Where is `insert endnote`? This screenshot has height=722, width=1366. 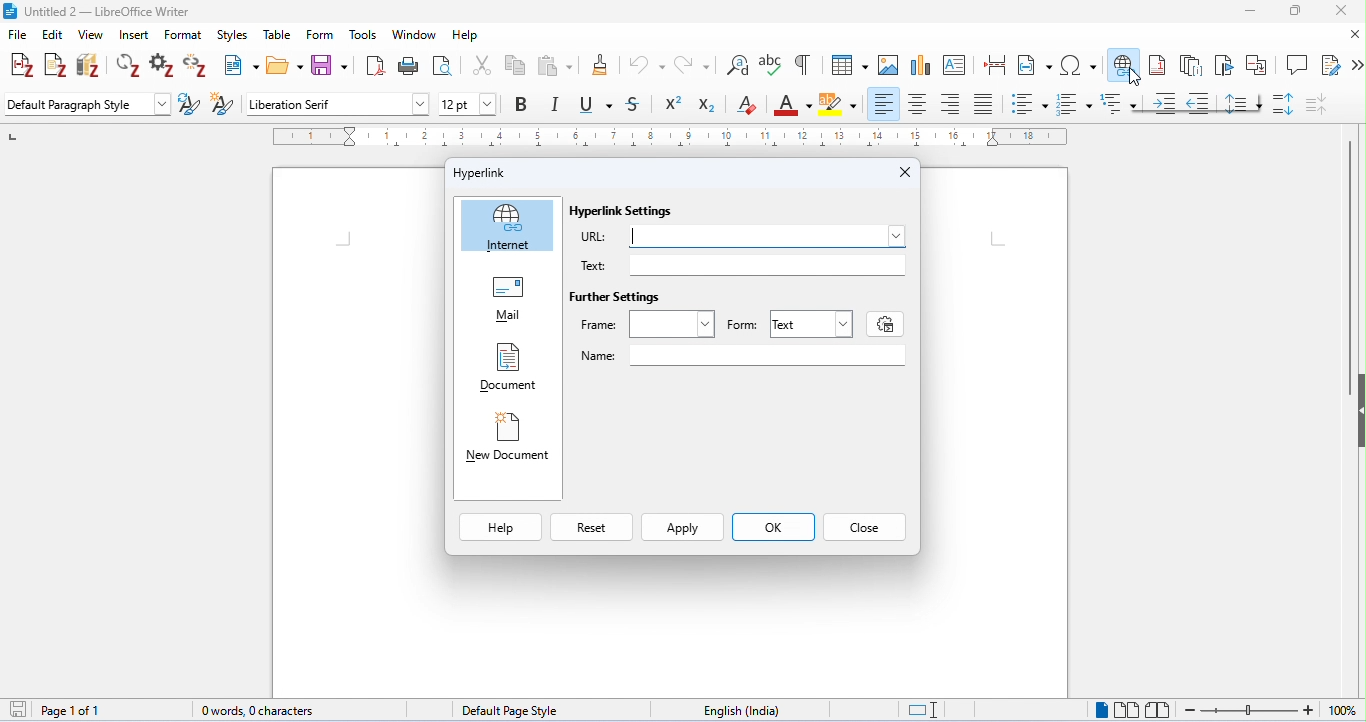
insert endnote is located at coordinates (1193, 65).